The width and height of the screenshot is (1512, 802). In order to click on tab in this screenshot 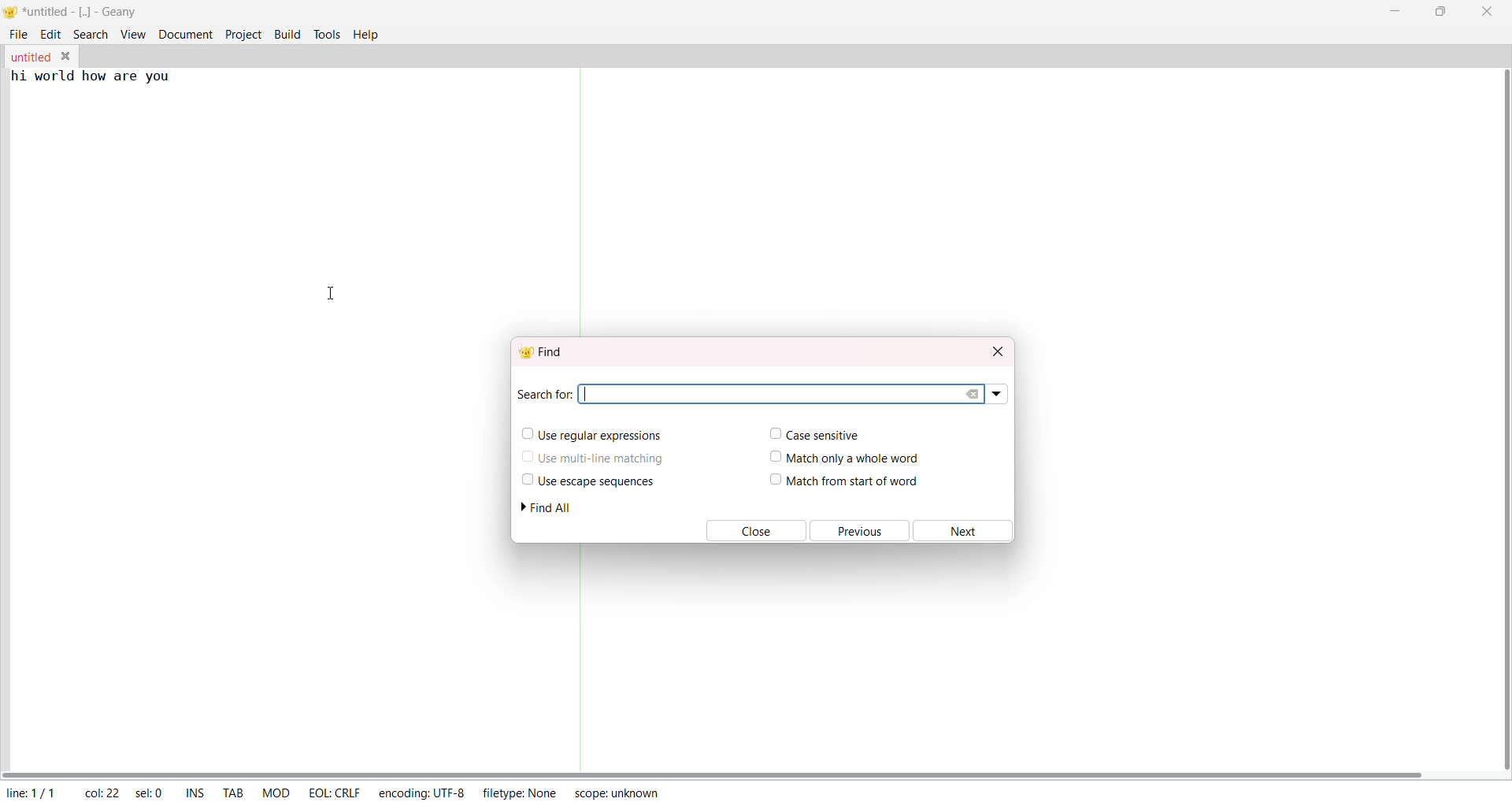, I will do `click(234, 791)`.